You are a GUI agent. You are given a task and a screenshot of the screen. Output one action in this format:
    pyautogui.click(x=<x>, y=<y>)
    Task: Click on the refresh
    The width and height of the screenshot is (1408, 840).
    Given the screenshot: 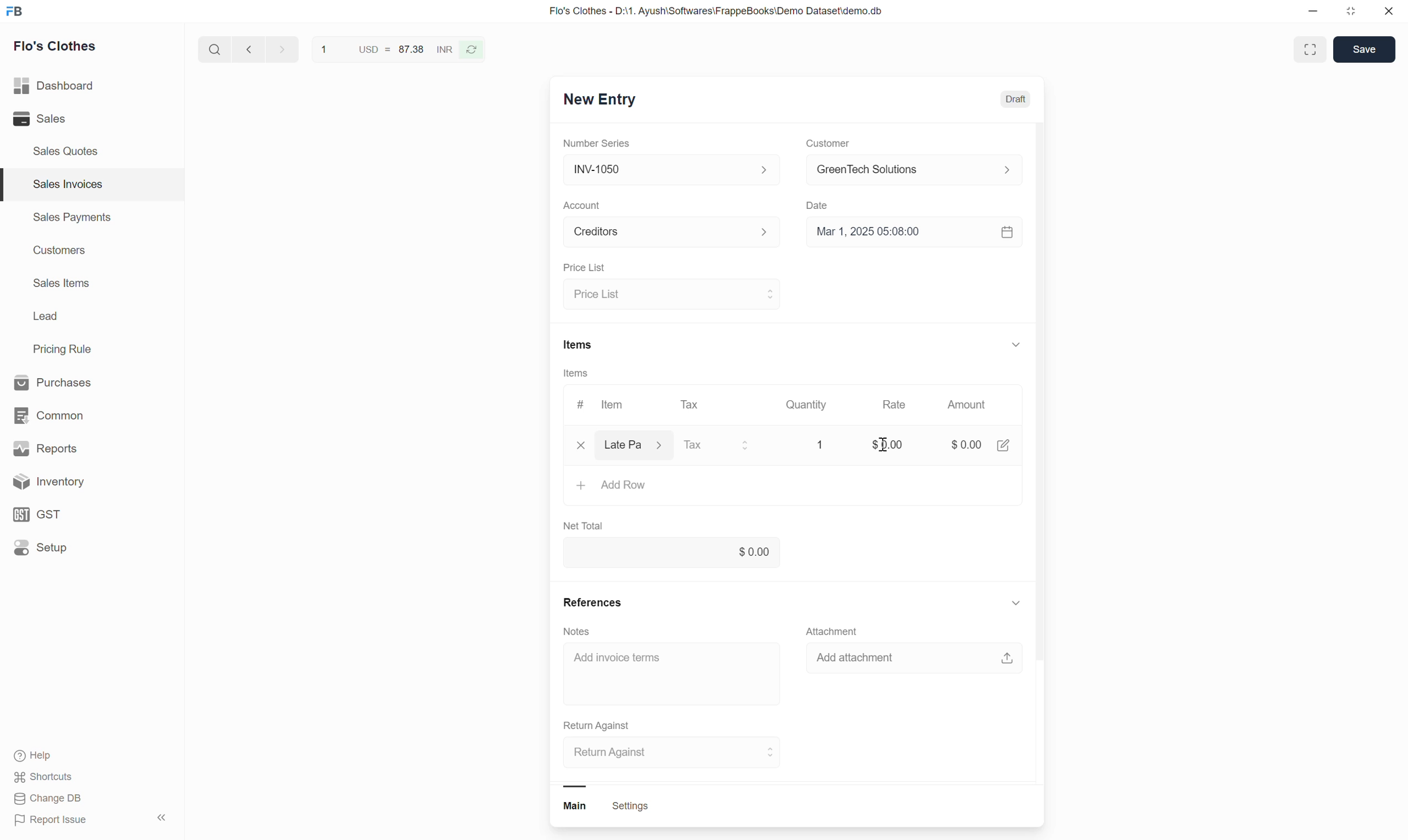 What is the action you would take?
    pyautogui.click(x=475, y=53)
    